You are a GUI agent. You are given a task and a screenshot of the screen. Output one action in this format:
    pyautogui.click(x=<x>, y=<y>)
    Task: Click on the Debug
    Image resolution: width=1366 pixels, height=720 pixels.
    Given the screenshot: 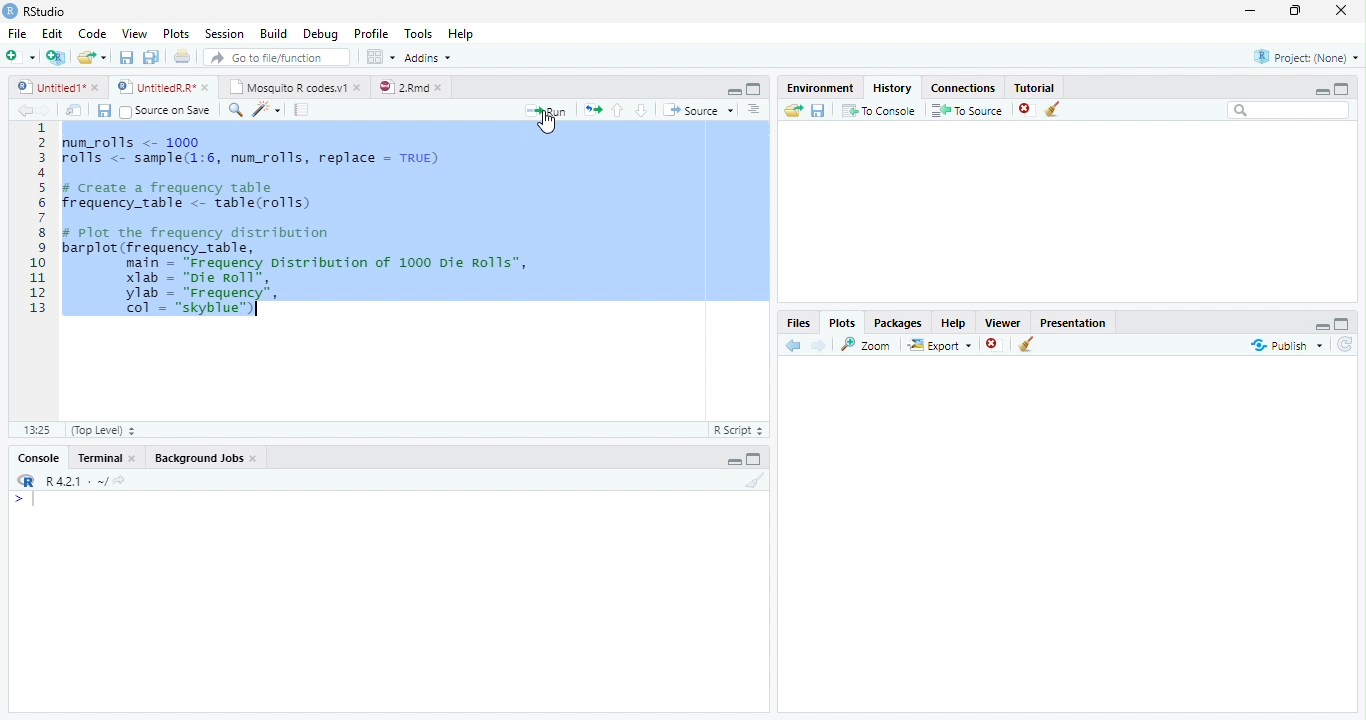 What is the action you would take?
    pyautogui.click(x=321, y=33)
    